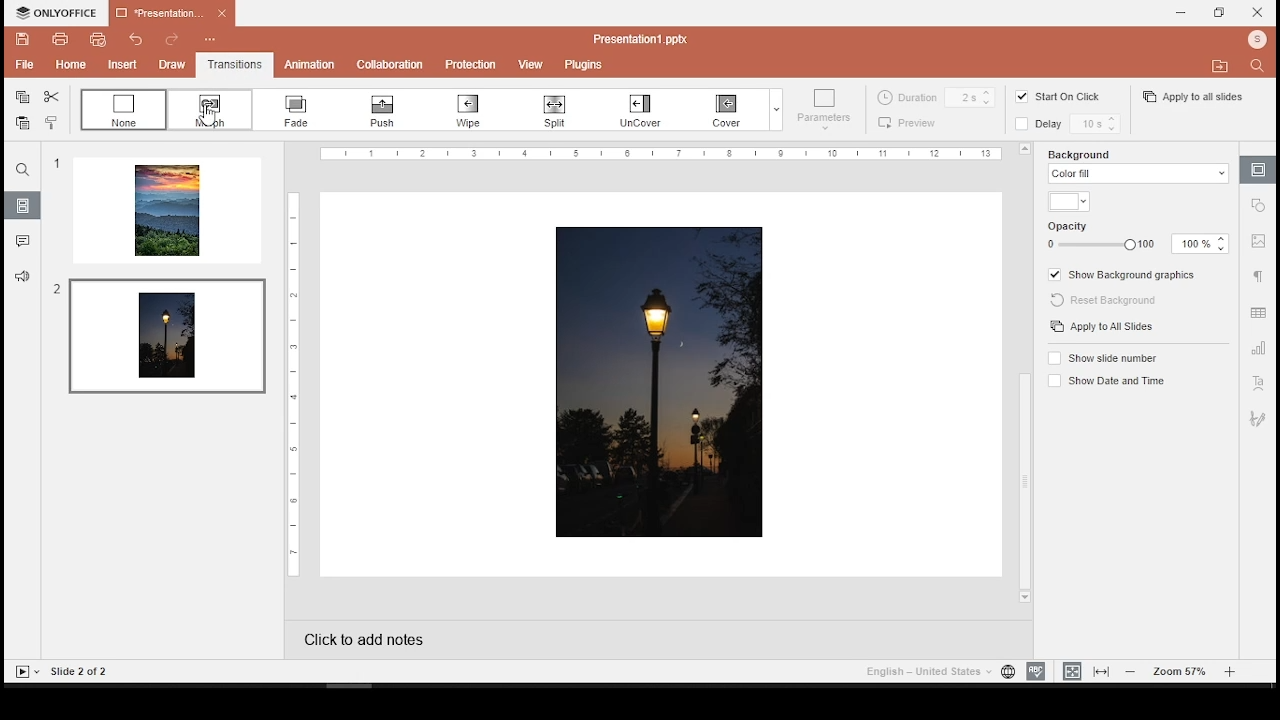 The width and height of the screenshot is (1280, 720). Describe the element at coordinates (479, 111) in the screenshot. I see `numbering` at that location.